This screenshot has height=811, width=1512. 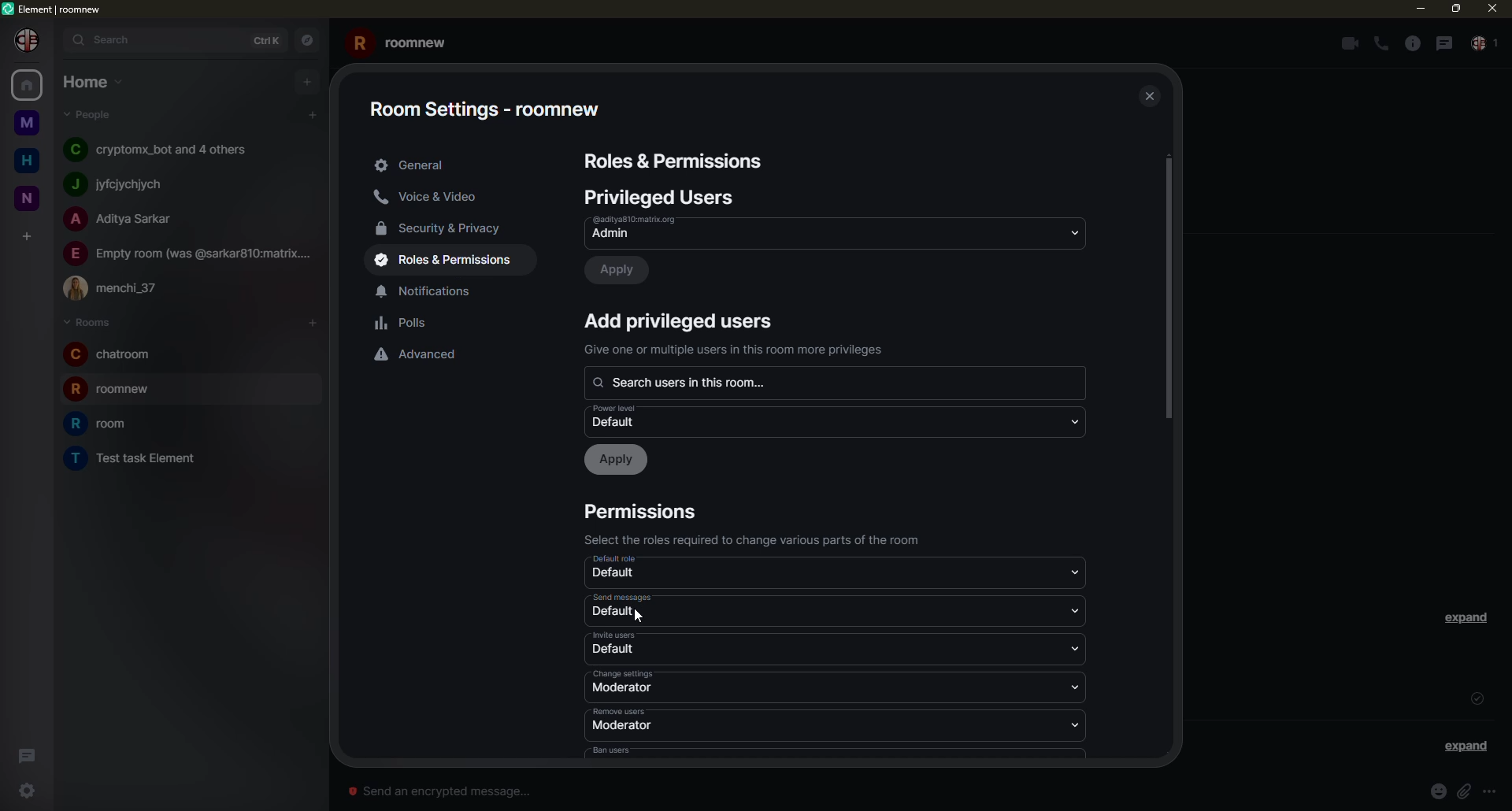 I want to click on people, so click(x=92, y=115).